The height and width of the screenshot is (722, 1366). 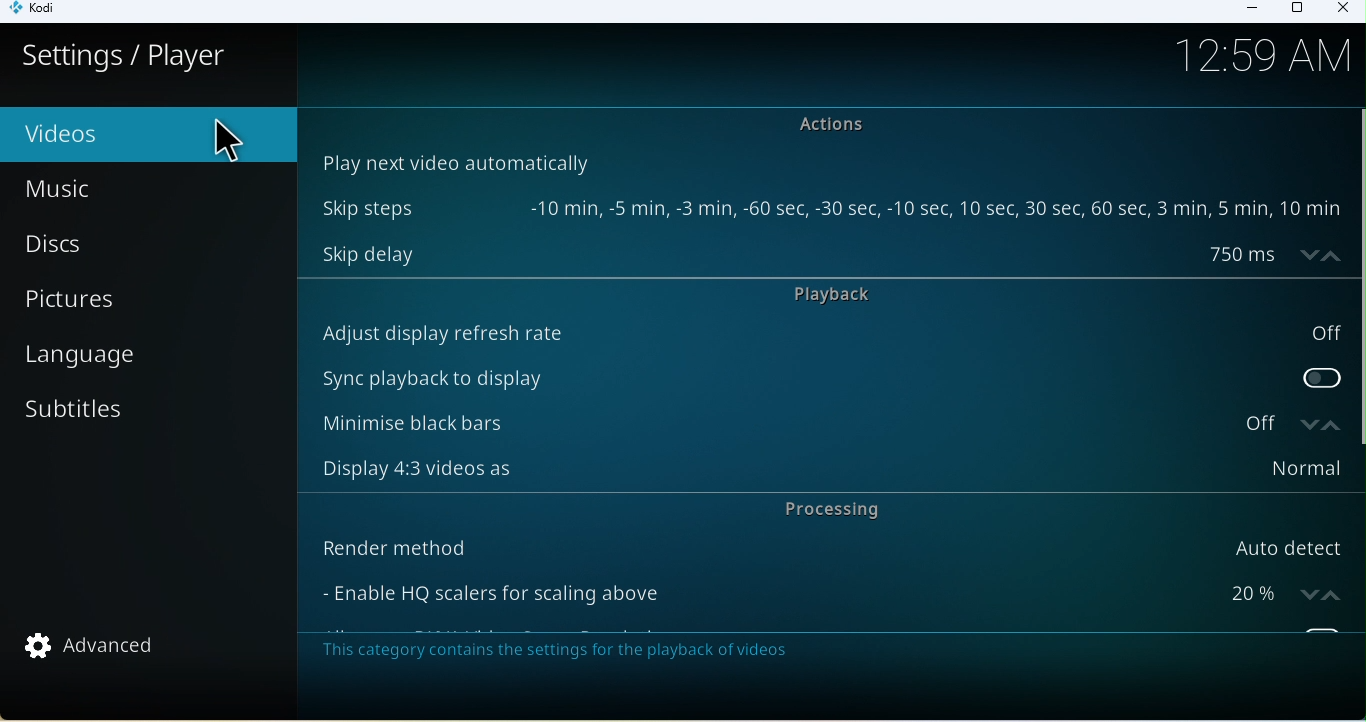 I want to click on Video, so click(x=115, y=135).